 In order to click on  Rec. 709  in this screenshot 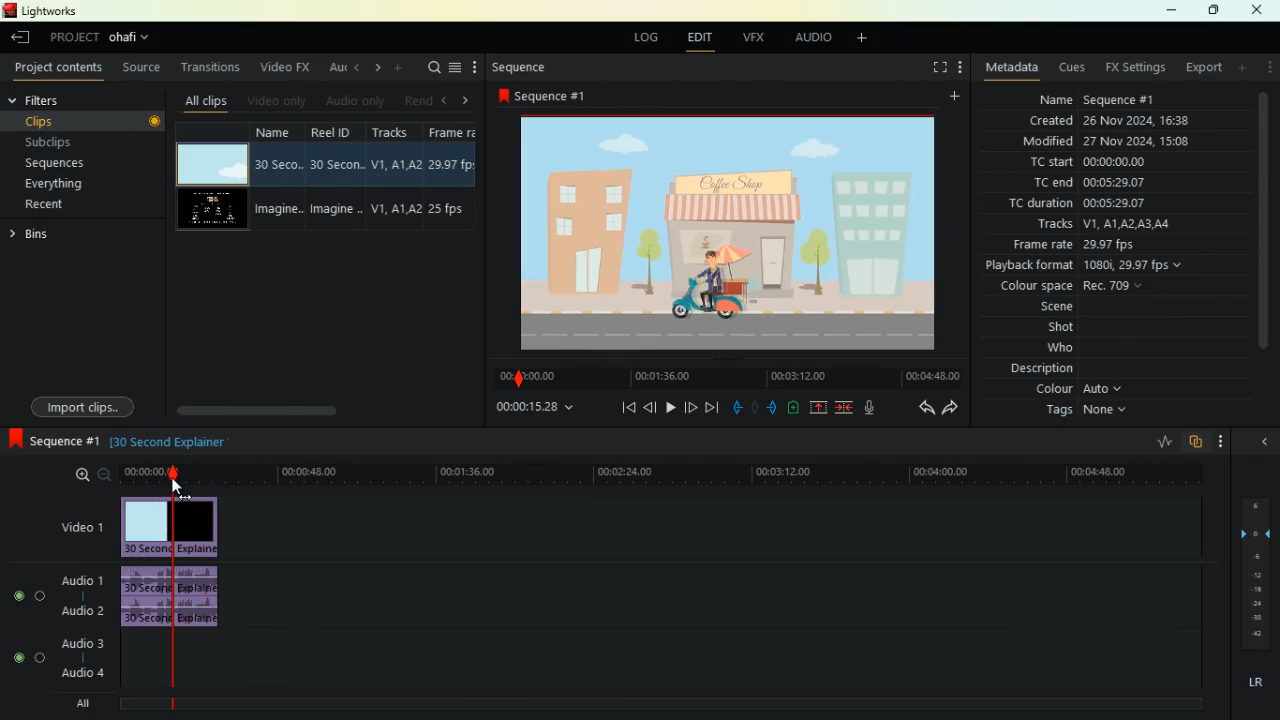, I will do `click(1116, 285)`.